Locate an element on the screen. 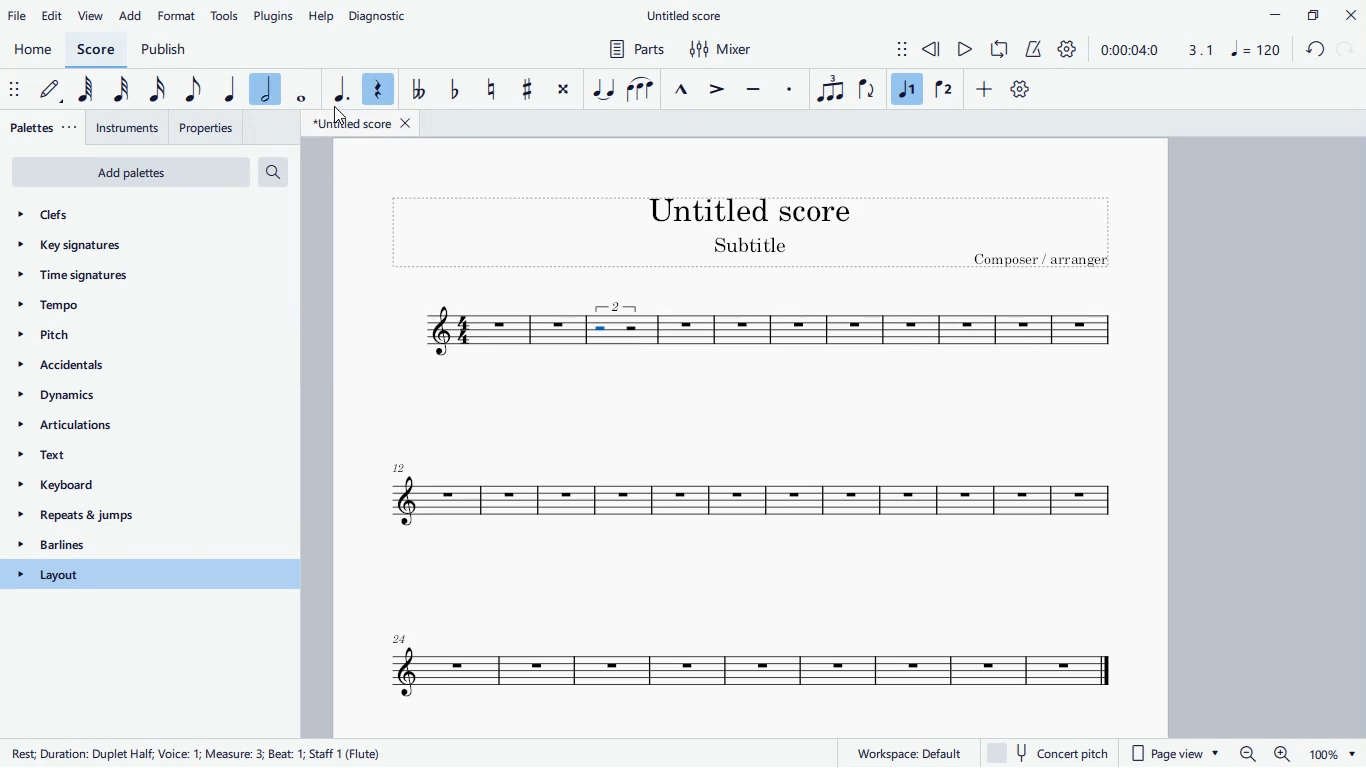 The image size is (1366, 768). view is located at coordinates (91, 16).